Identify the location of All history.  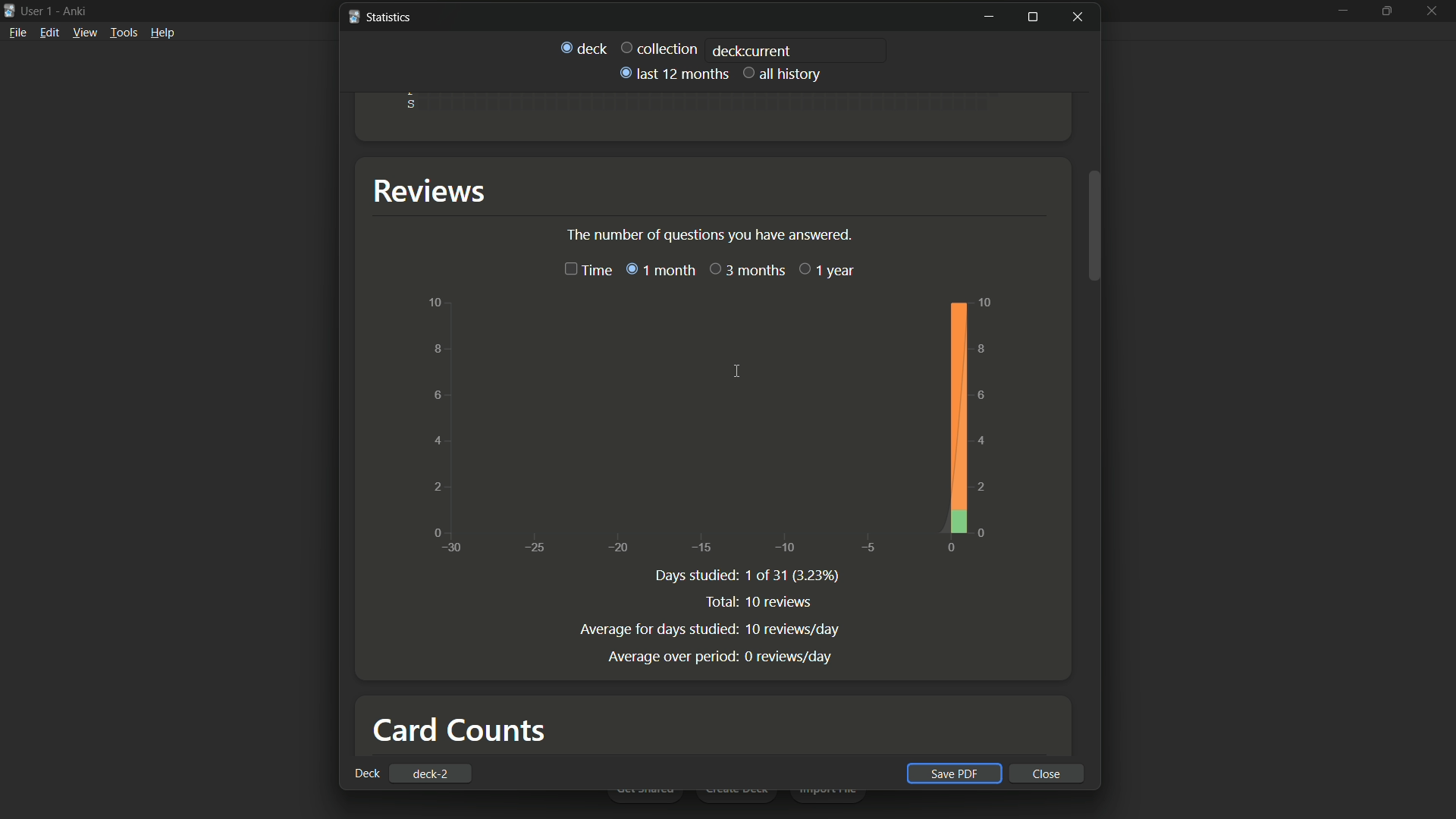
(783, 74).